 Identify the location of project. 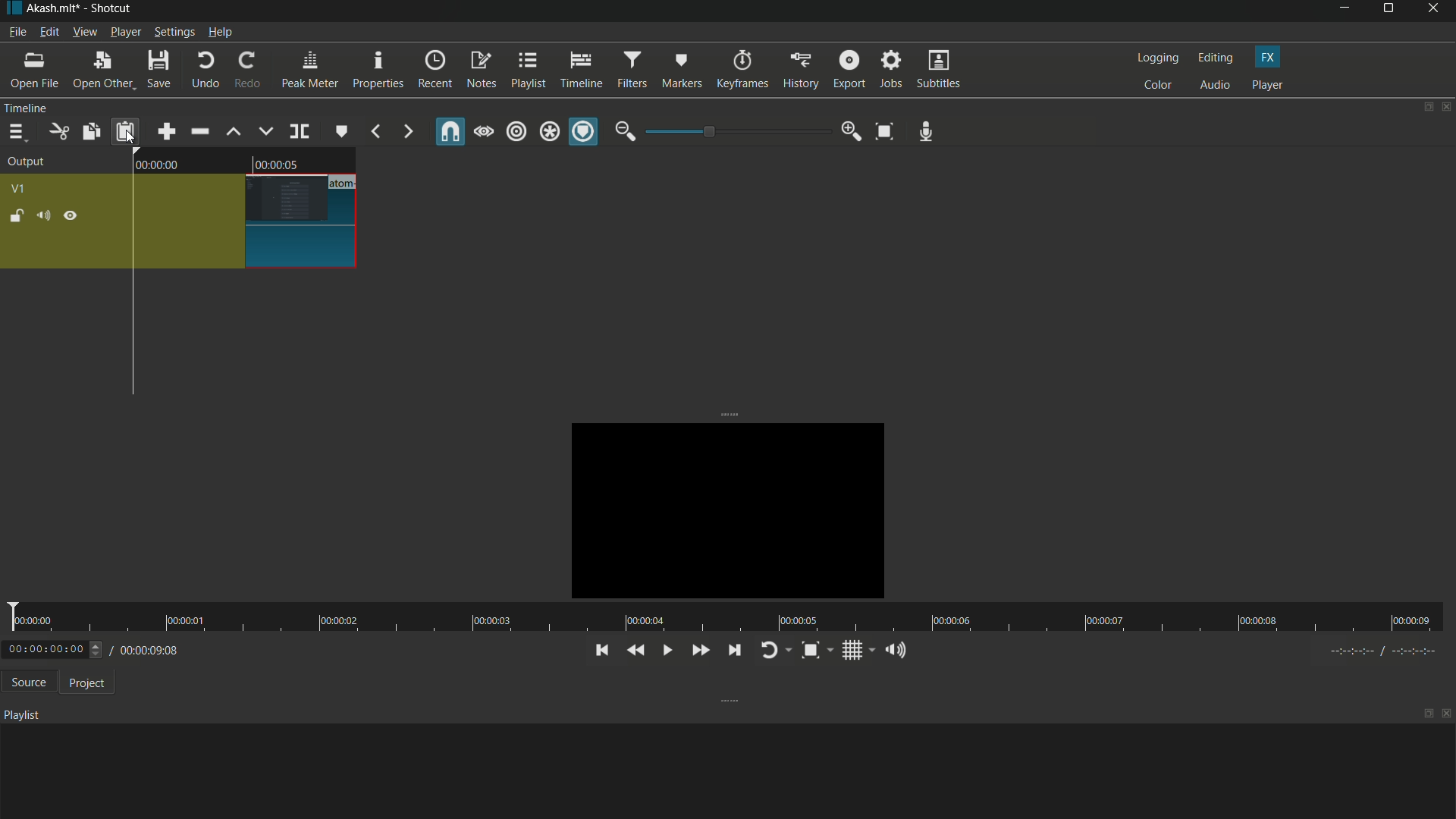
(83, 682).